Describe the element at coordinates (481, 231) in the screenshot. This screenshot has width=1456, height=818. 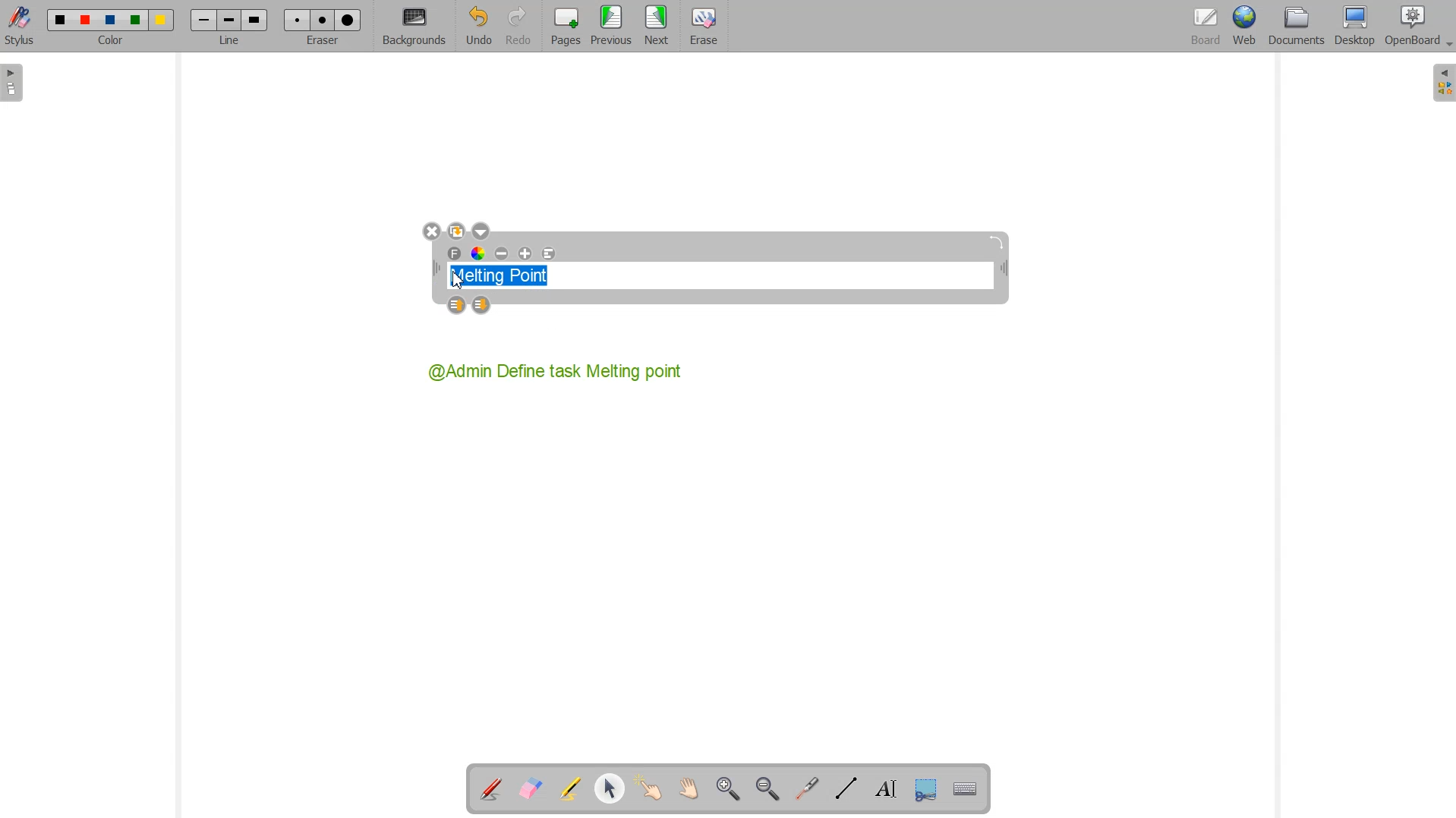
I see `Dropdown box` at that location.